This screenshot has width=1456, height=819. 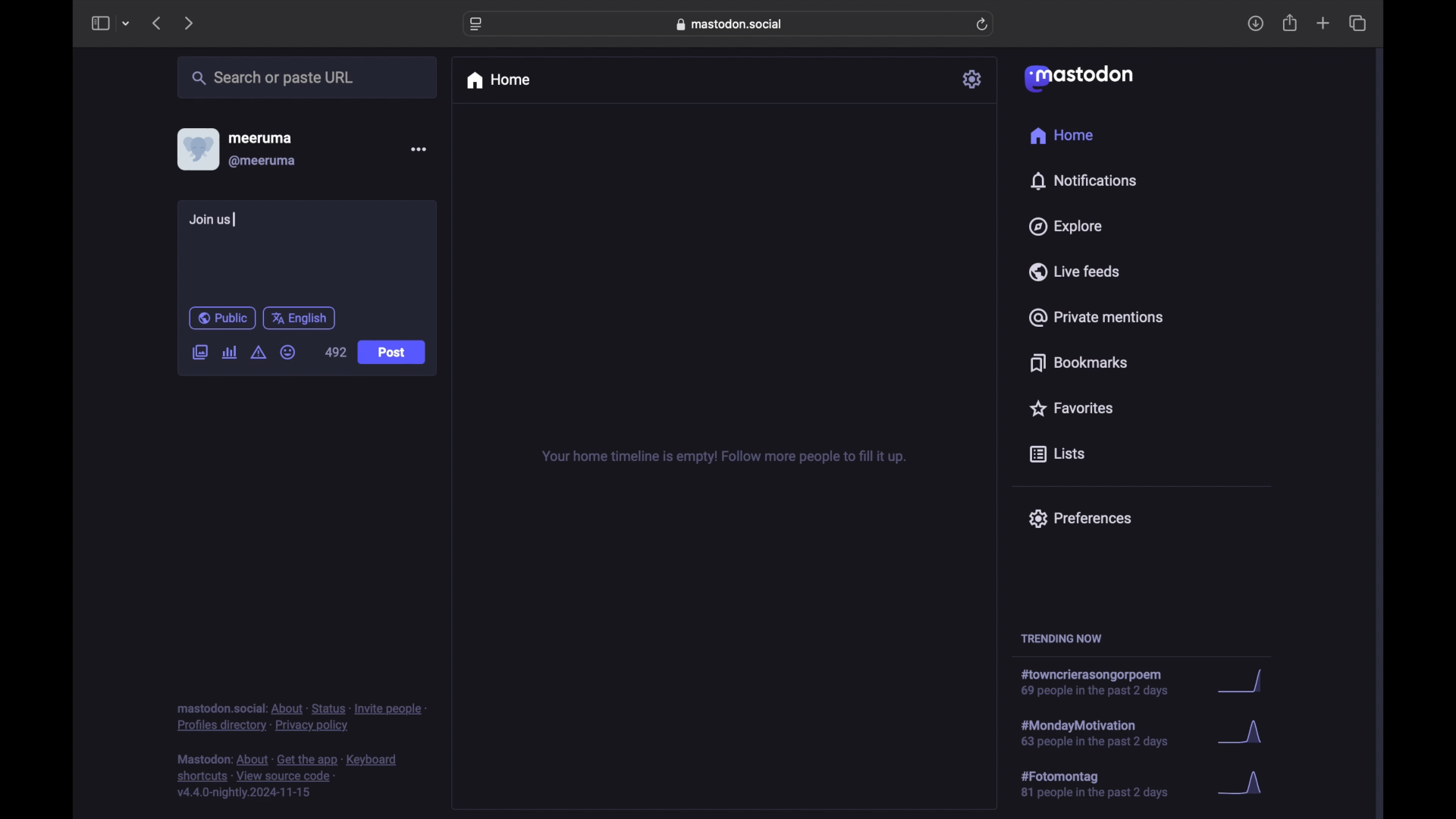 What do you see at coordinates (221, 220) in the screenshot?
I see `Join us` at bounding box center [221, 220].